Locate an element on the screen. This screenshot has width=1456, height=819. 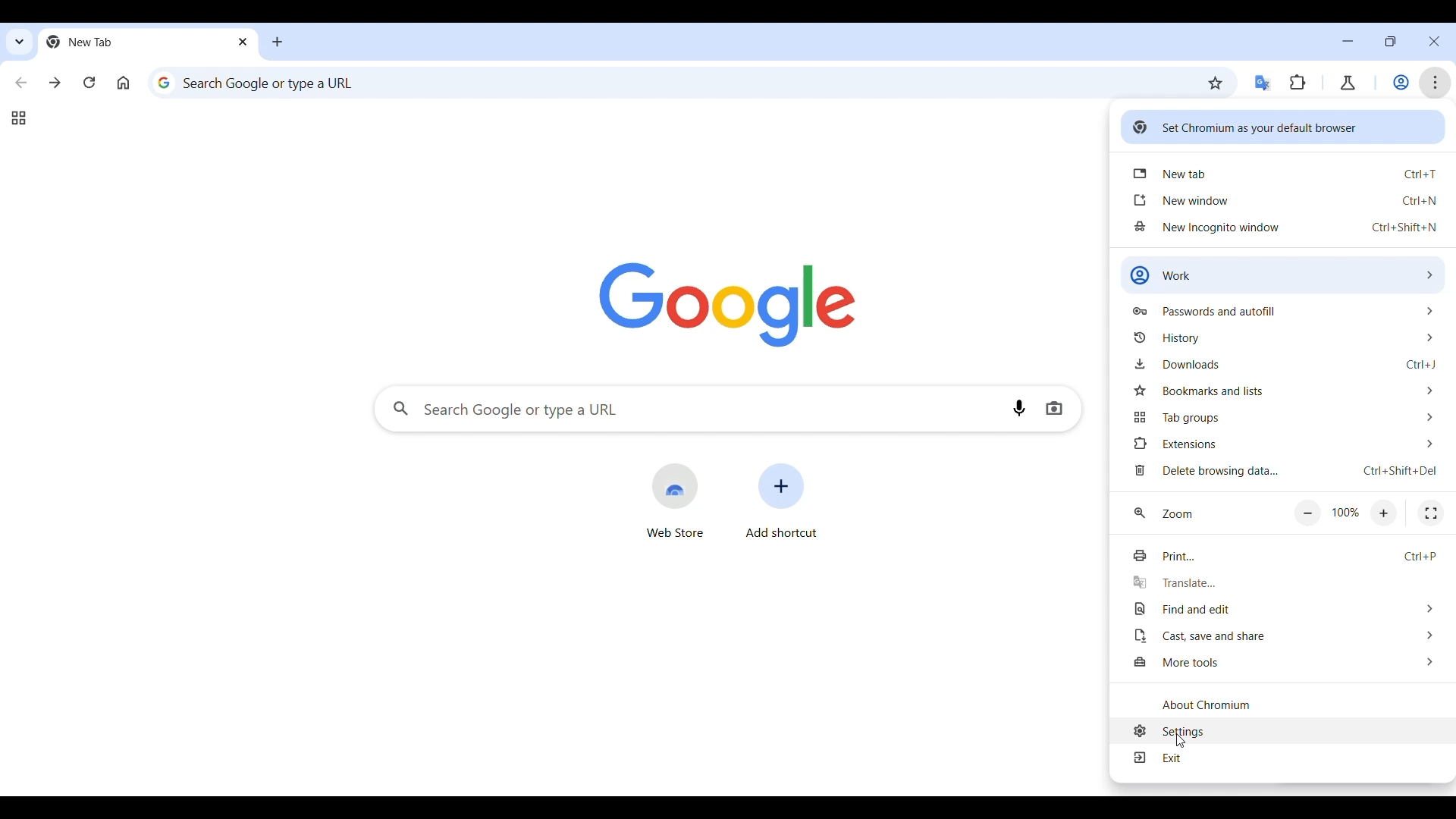
Bookmark and list options is located at coordinates (1284, 391).